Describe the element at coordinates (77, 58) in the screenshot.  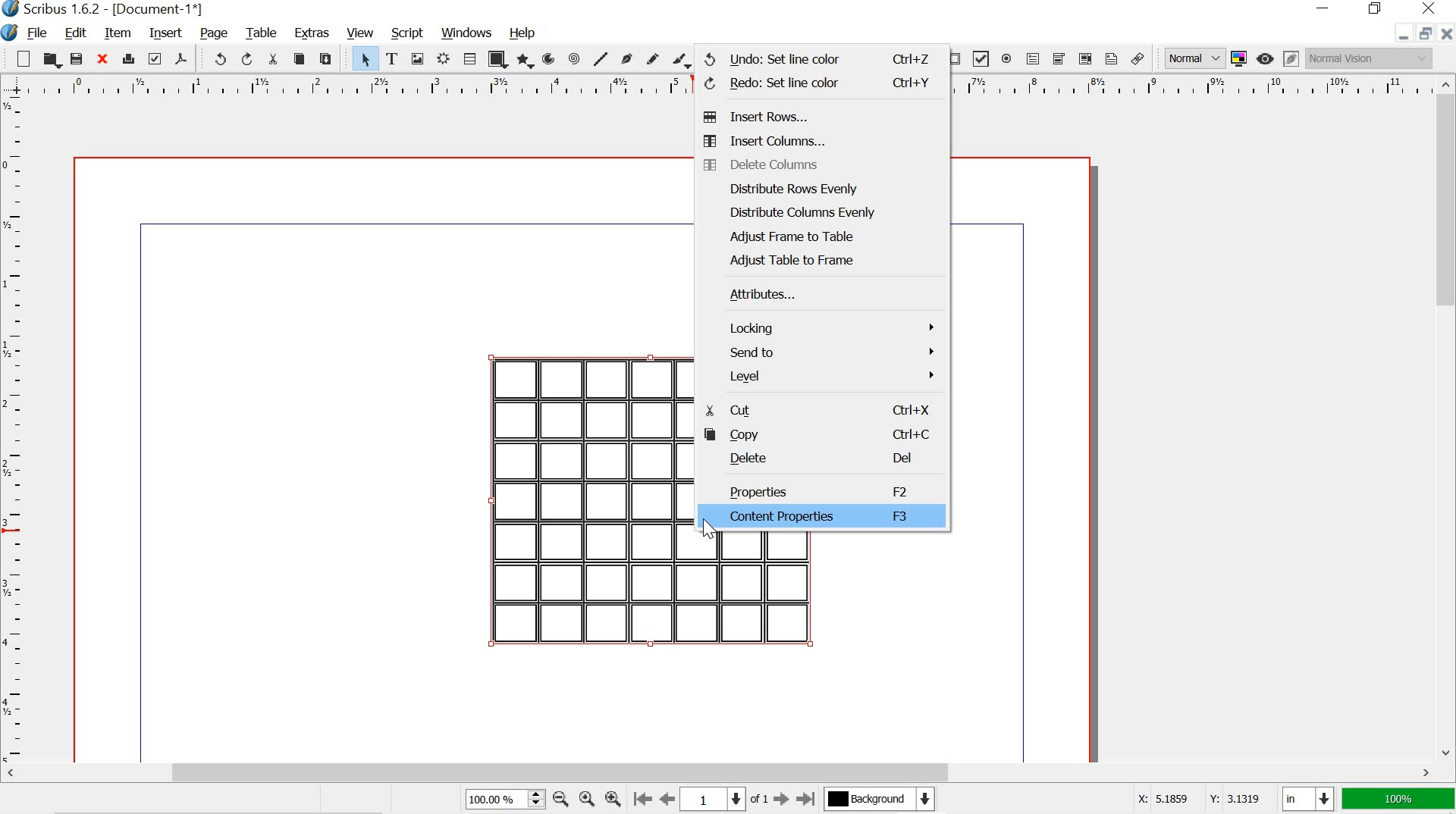
I see `save` at that location.